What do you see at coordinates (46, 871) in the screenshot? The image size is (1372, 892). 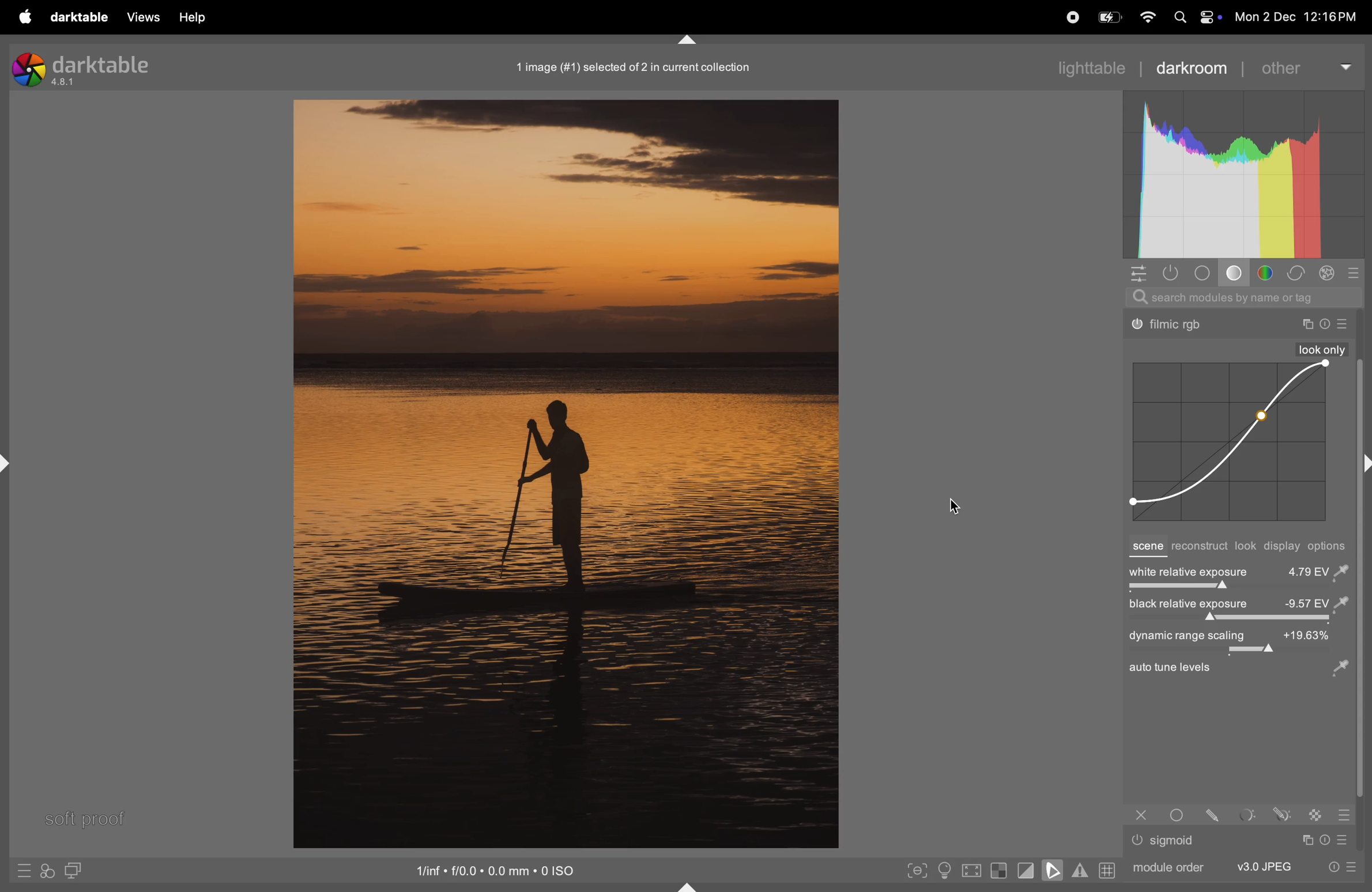 I see `quick acess to apply your styles` at bounding box center [46, 871].